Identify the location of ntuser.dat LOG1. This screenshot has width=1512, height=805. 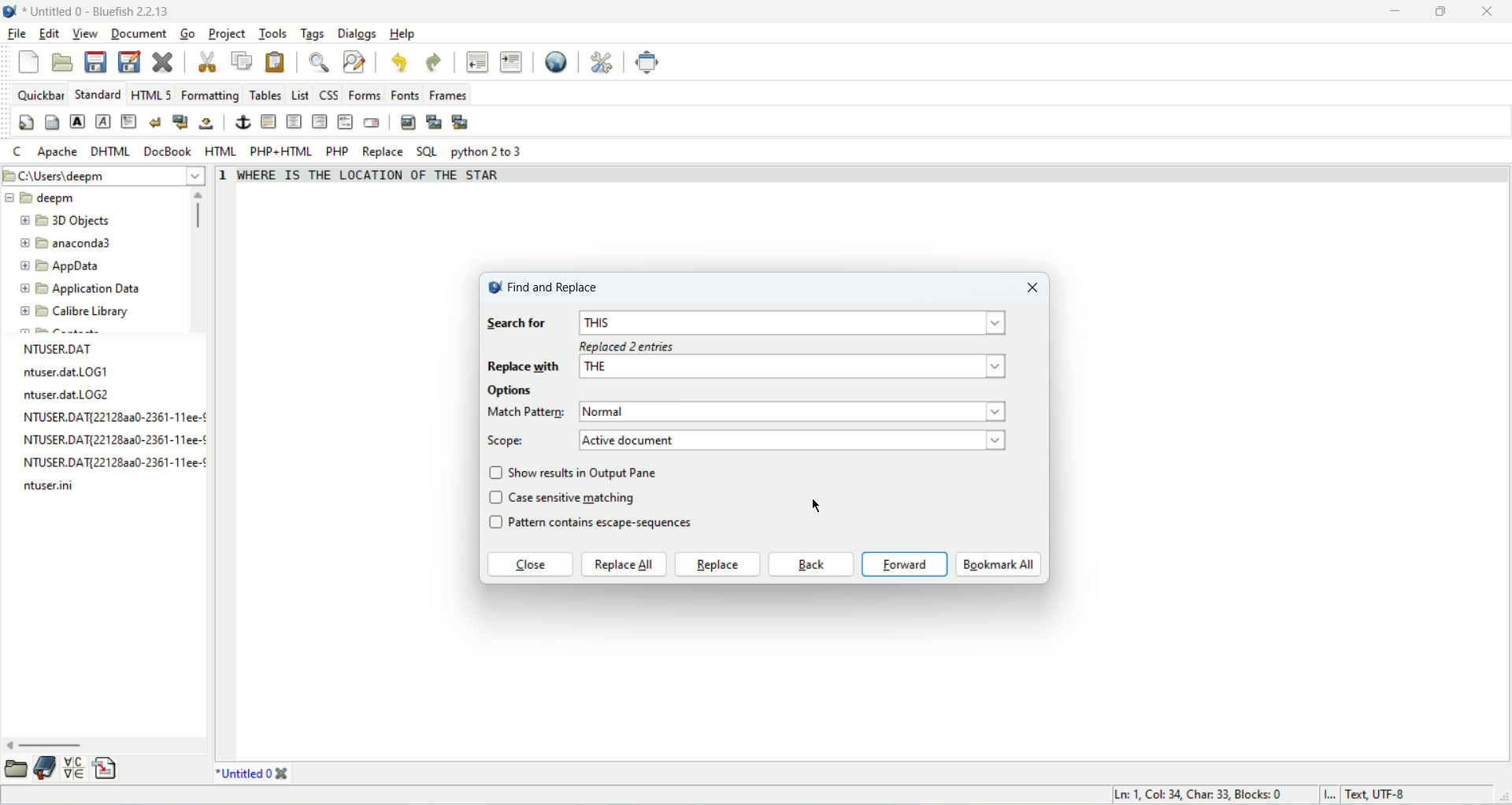
(64, 373).